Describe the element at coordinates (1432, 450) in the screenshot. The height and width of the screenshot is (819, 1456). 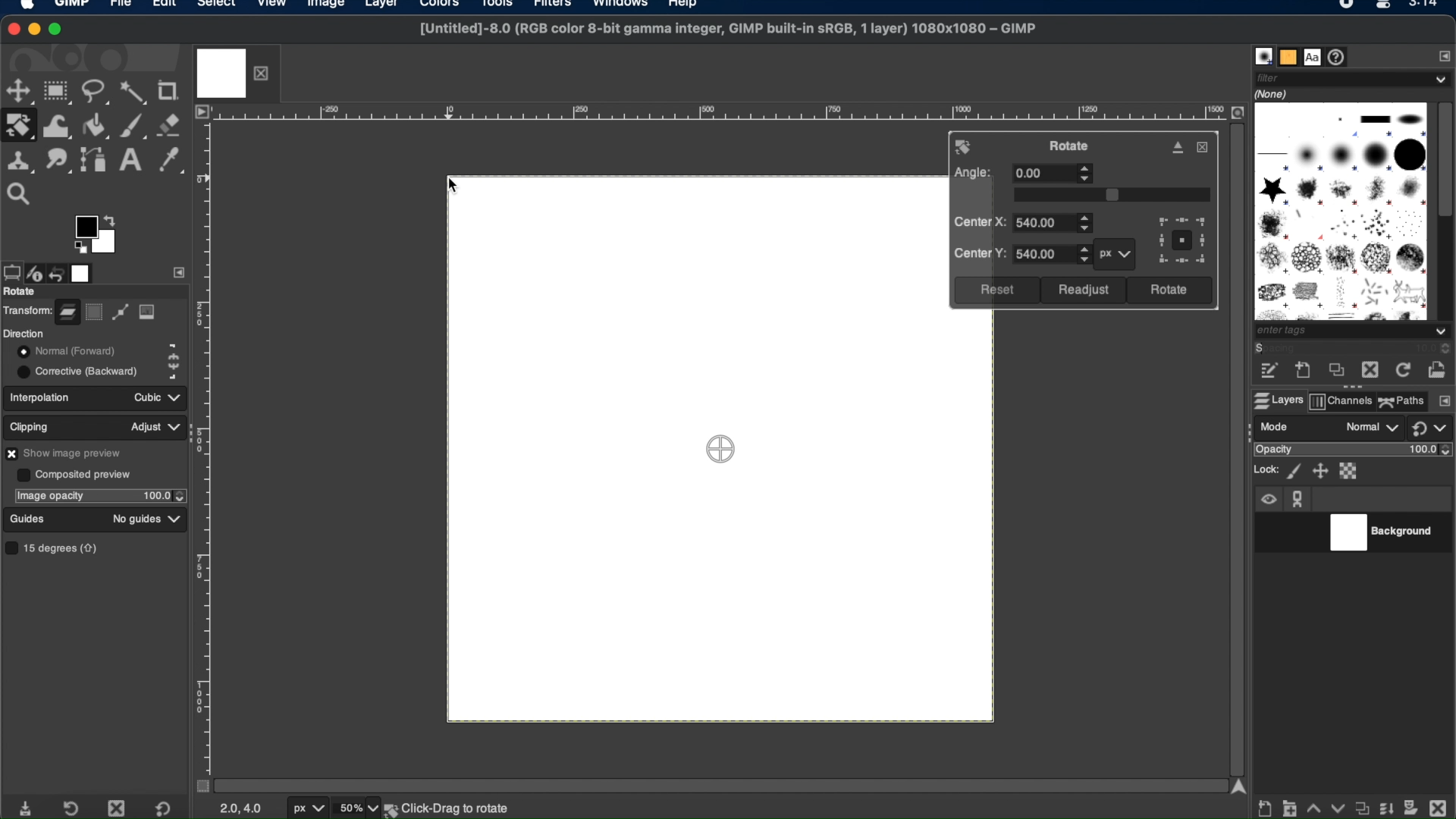
I see `opacity level stepper buttons` at that location.